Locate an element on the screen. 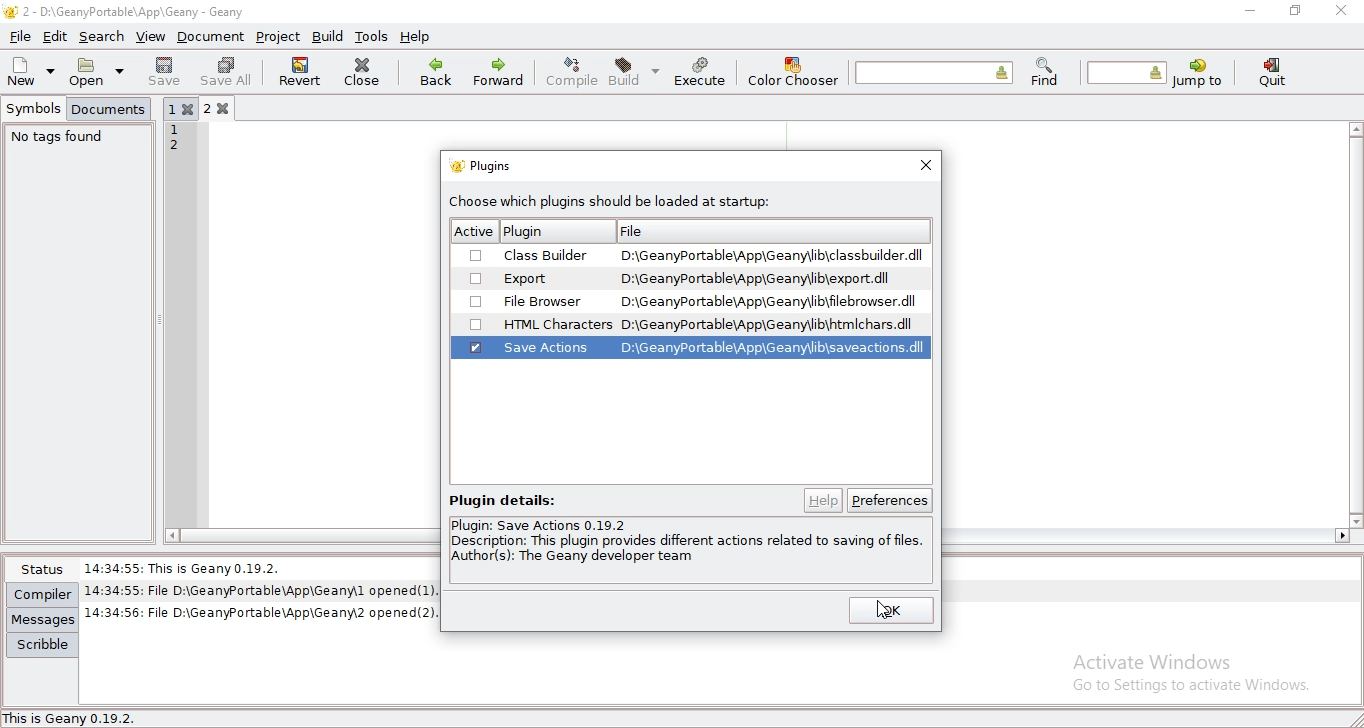 Image resolution: width=1364 pixels, height=728 pixels. 2 is located at coordinates (224, 108).